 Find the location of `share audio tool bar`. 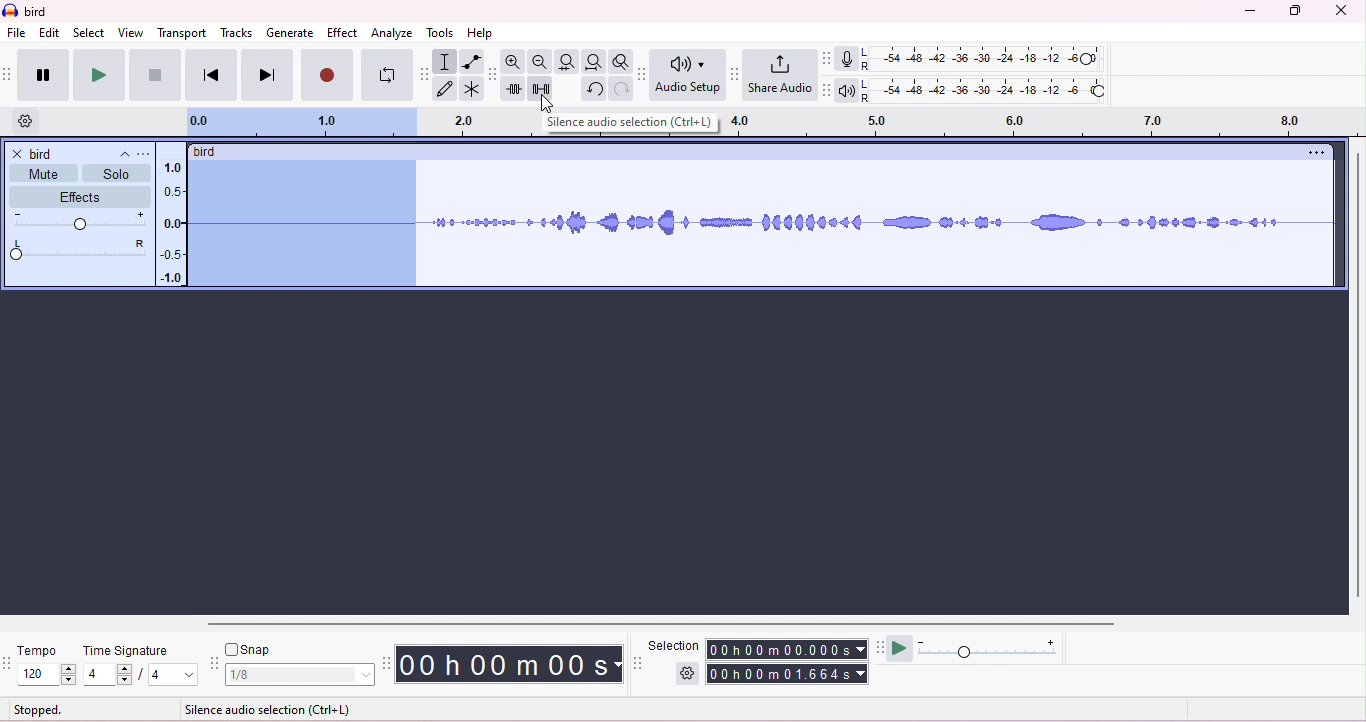

share audio tool bar is located at coordinates (736, 73).